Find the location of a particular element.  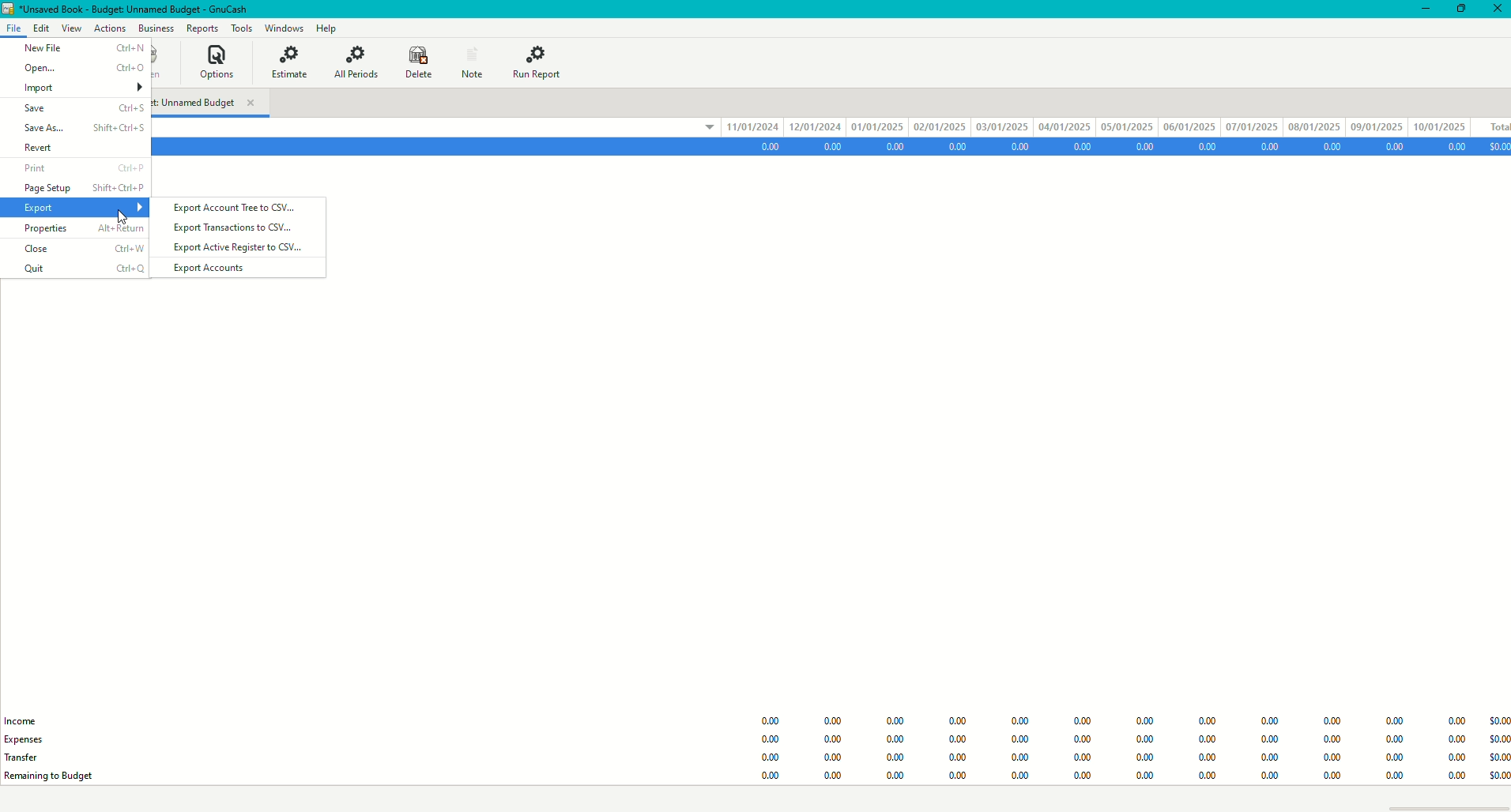

Unnamed budget is located at coordinates (212, 101).